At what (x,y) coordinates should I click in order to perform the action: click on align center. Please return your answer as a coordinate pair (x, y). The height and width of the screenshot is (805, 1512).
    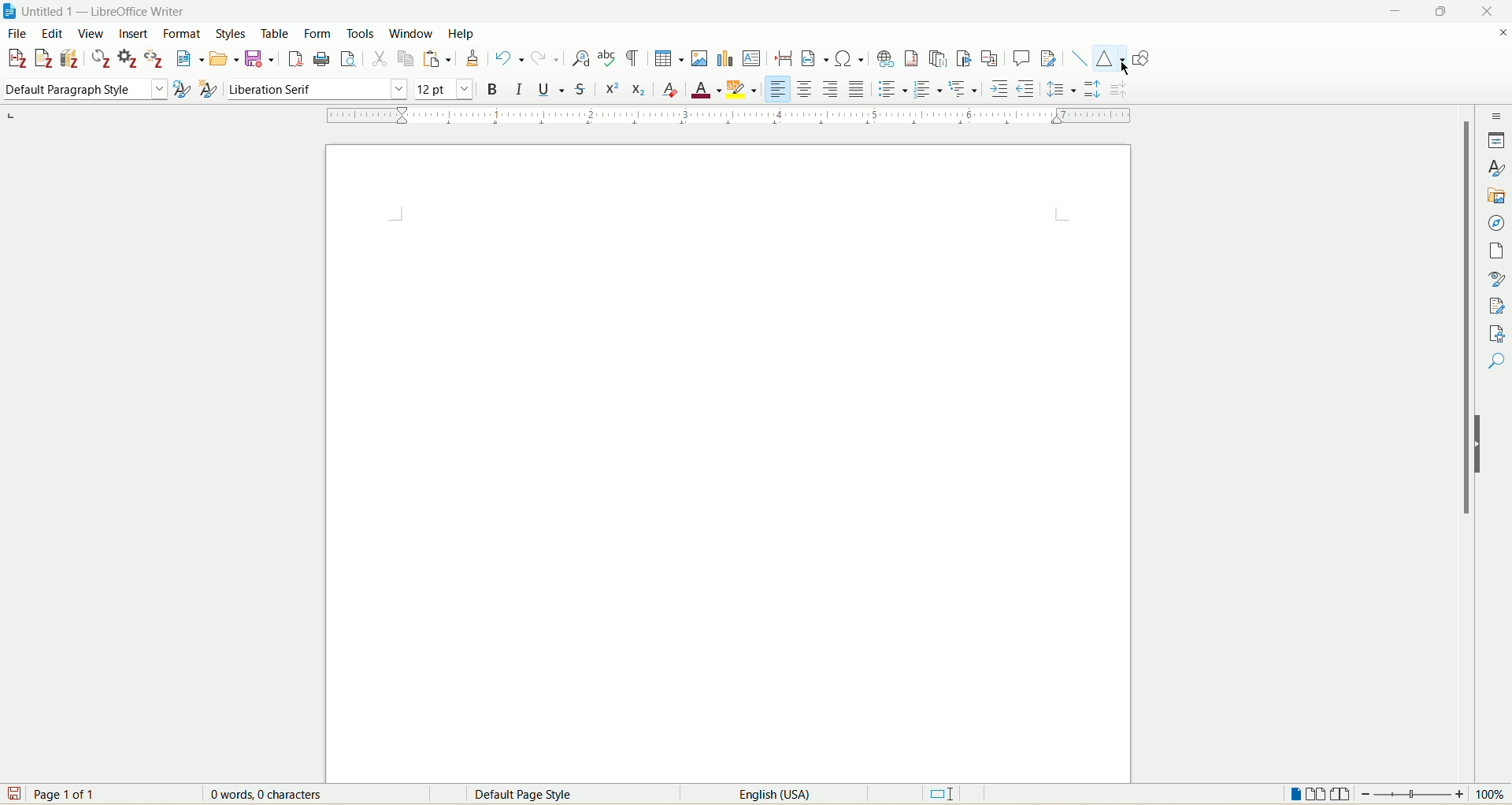
    Looking at the image, I should click on (806, 90).